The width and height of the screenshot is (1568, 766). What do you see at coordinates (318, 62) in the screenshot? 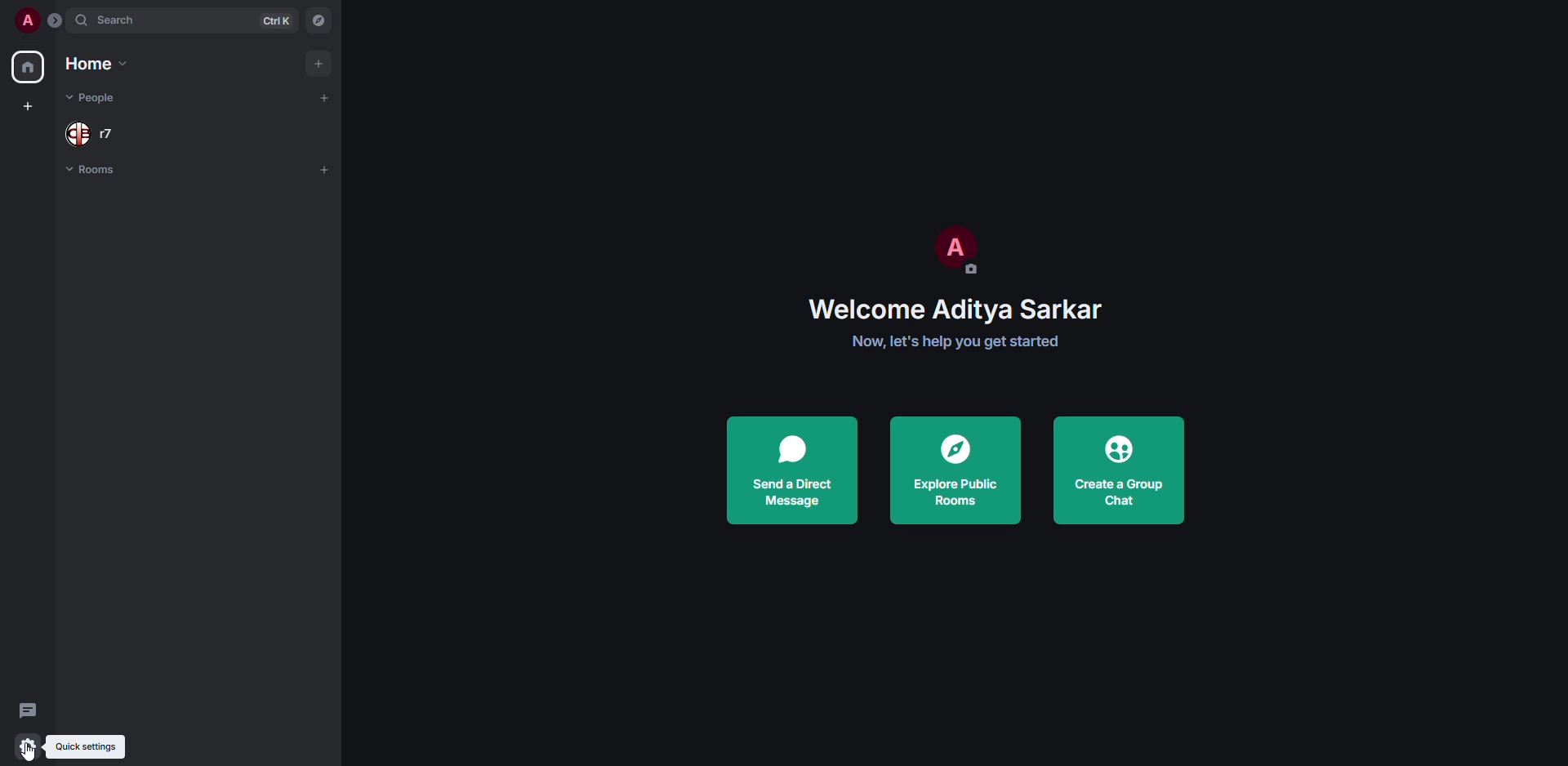
I see `add` at bounding box center [318, 62].